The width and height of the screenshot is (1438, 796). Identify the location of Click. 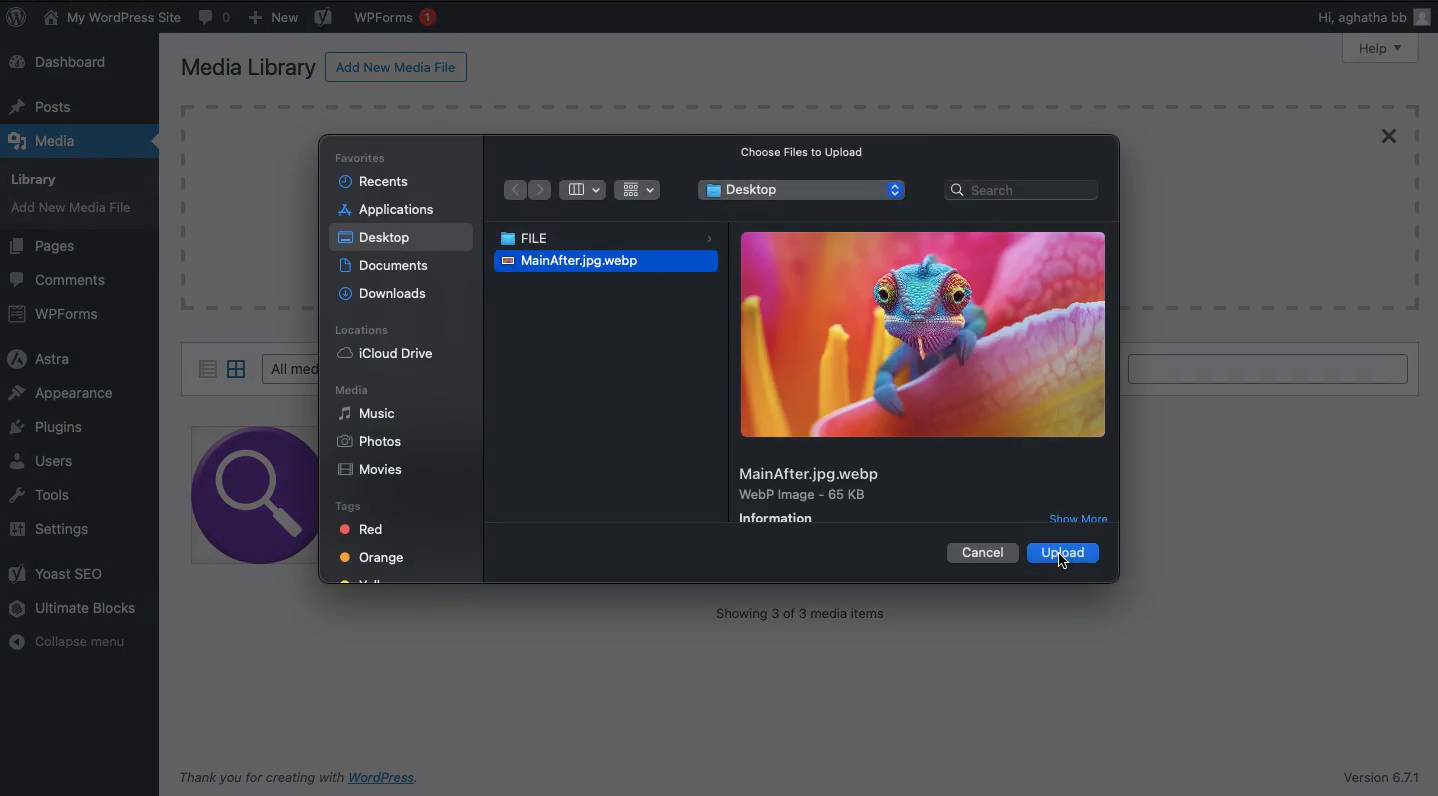
(1062, 561).